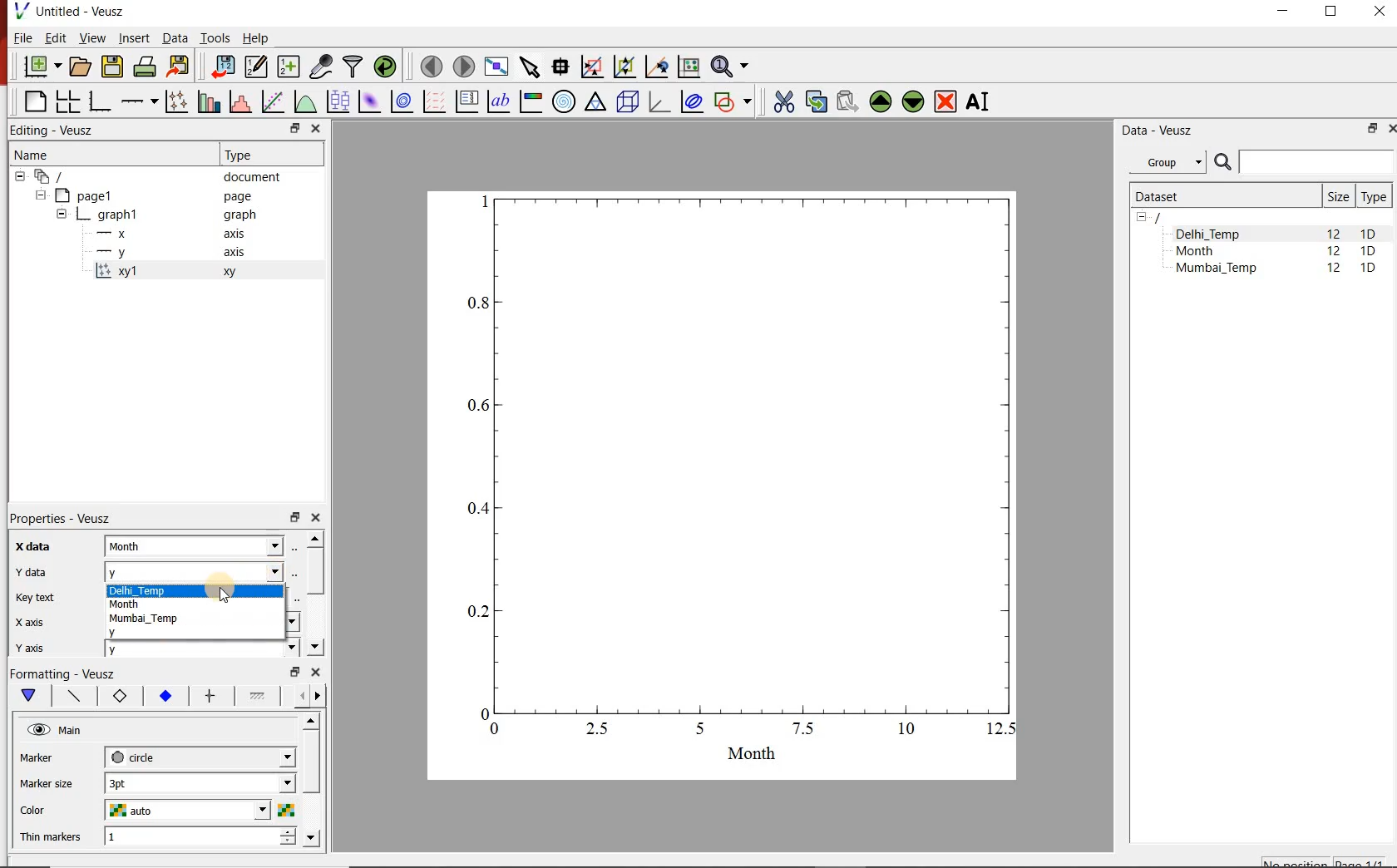  What do you see at coordinates (385, 65) in the screenshot?
I see `reload linked datasets` at bounding box center [385, 65].